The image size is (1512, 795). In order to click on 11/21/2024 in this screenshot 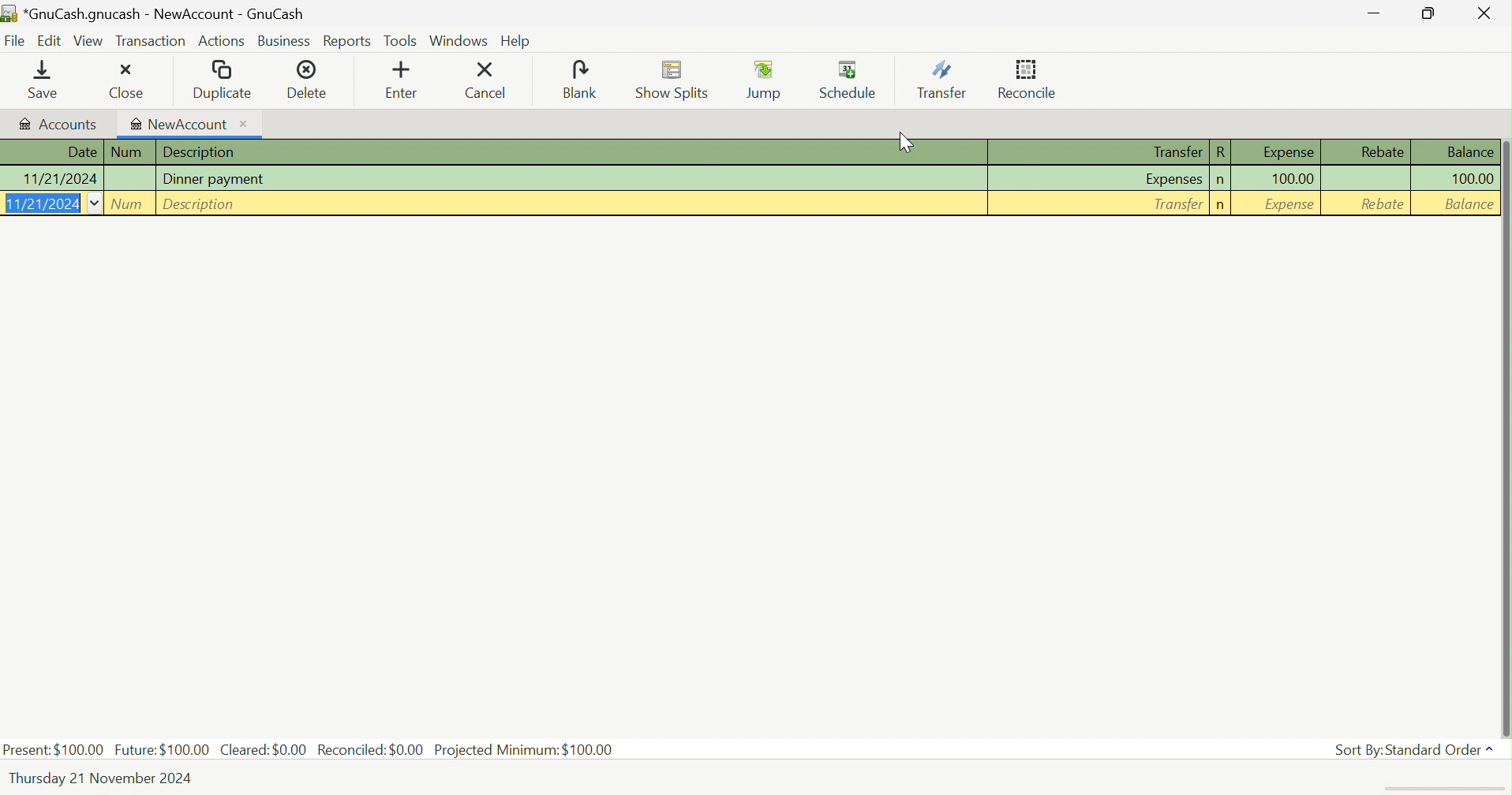, I will do `click(50, 204)`.